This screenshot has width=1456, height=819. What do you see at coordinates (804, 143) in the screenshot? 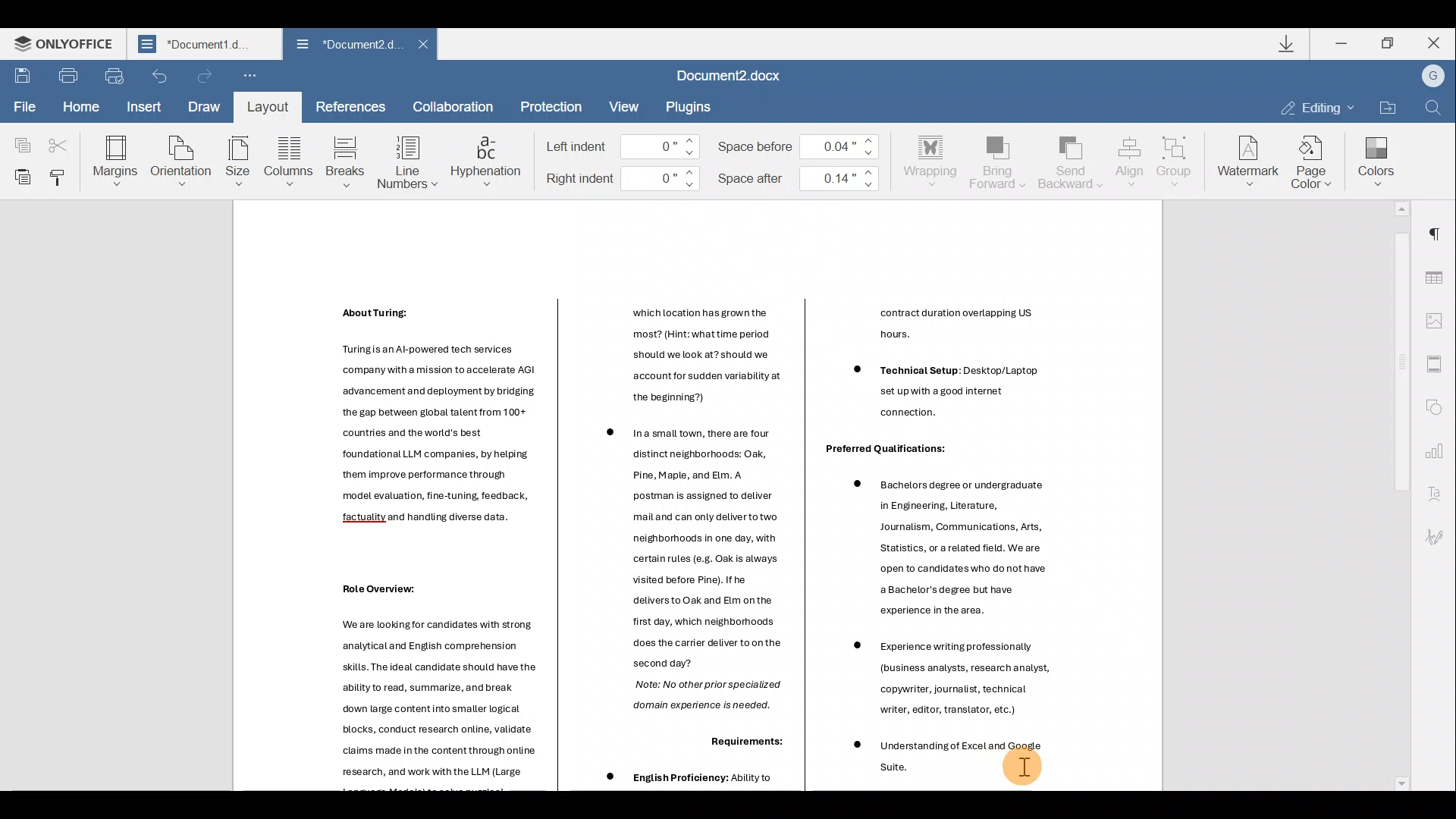
I see `Space before` at bounding box center [804, 143].